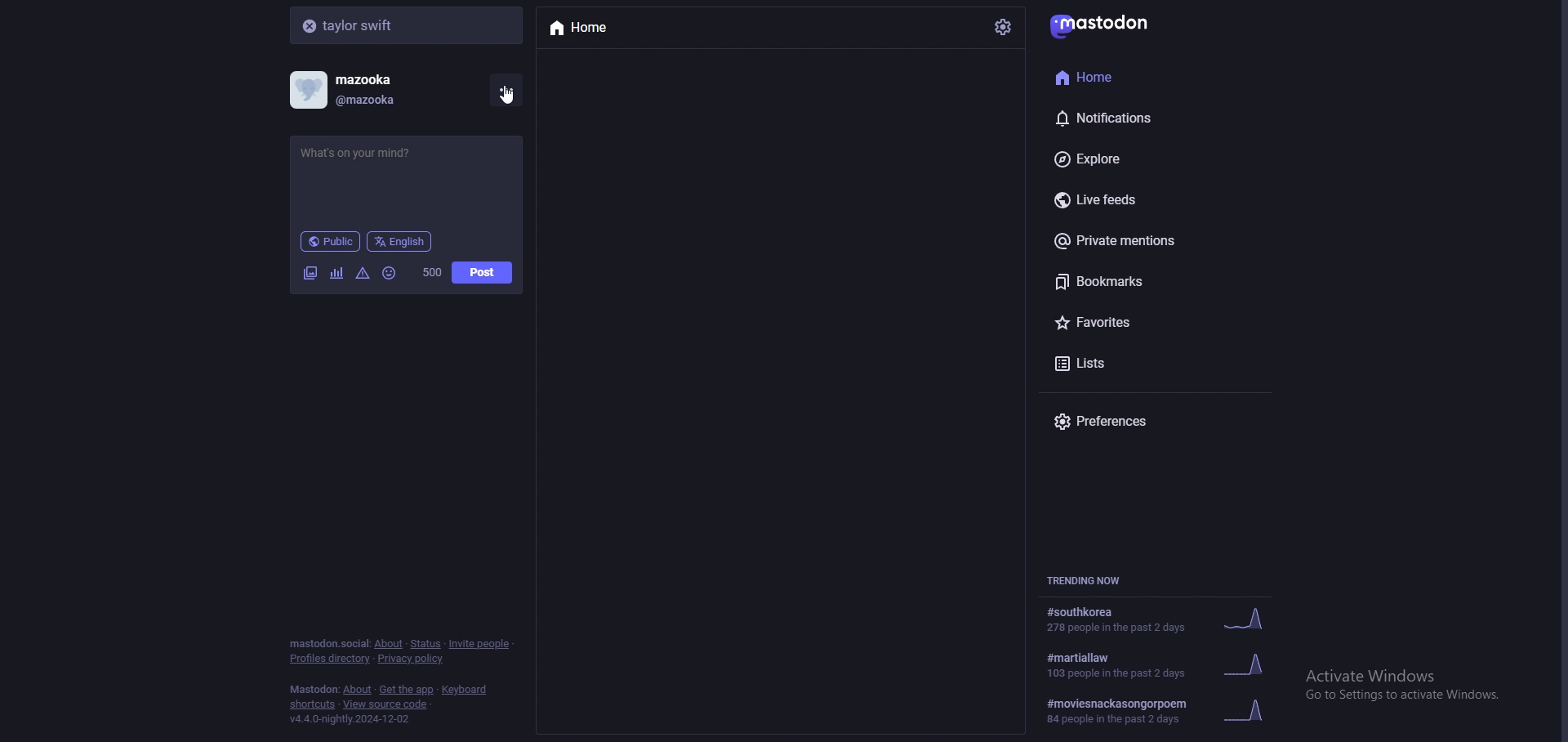  Describe the element at coordinates (412, 659) in the screenshot. I see `privacy policy` at that location.